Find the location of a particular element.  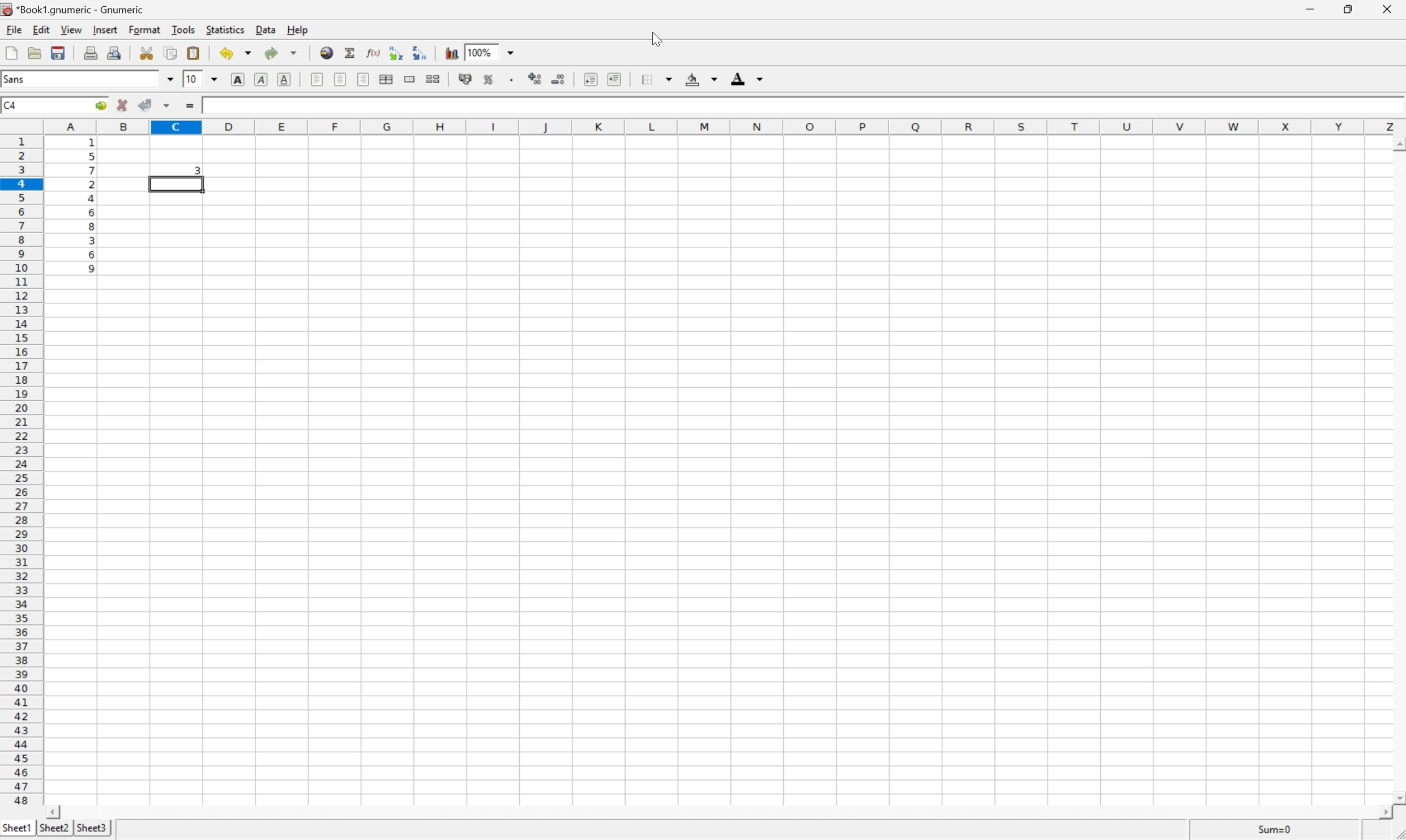

underline is located at coordinates (284, 79).